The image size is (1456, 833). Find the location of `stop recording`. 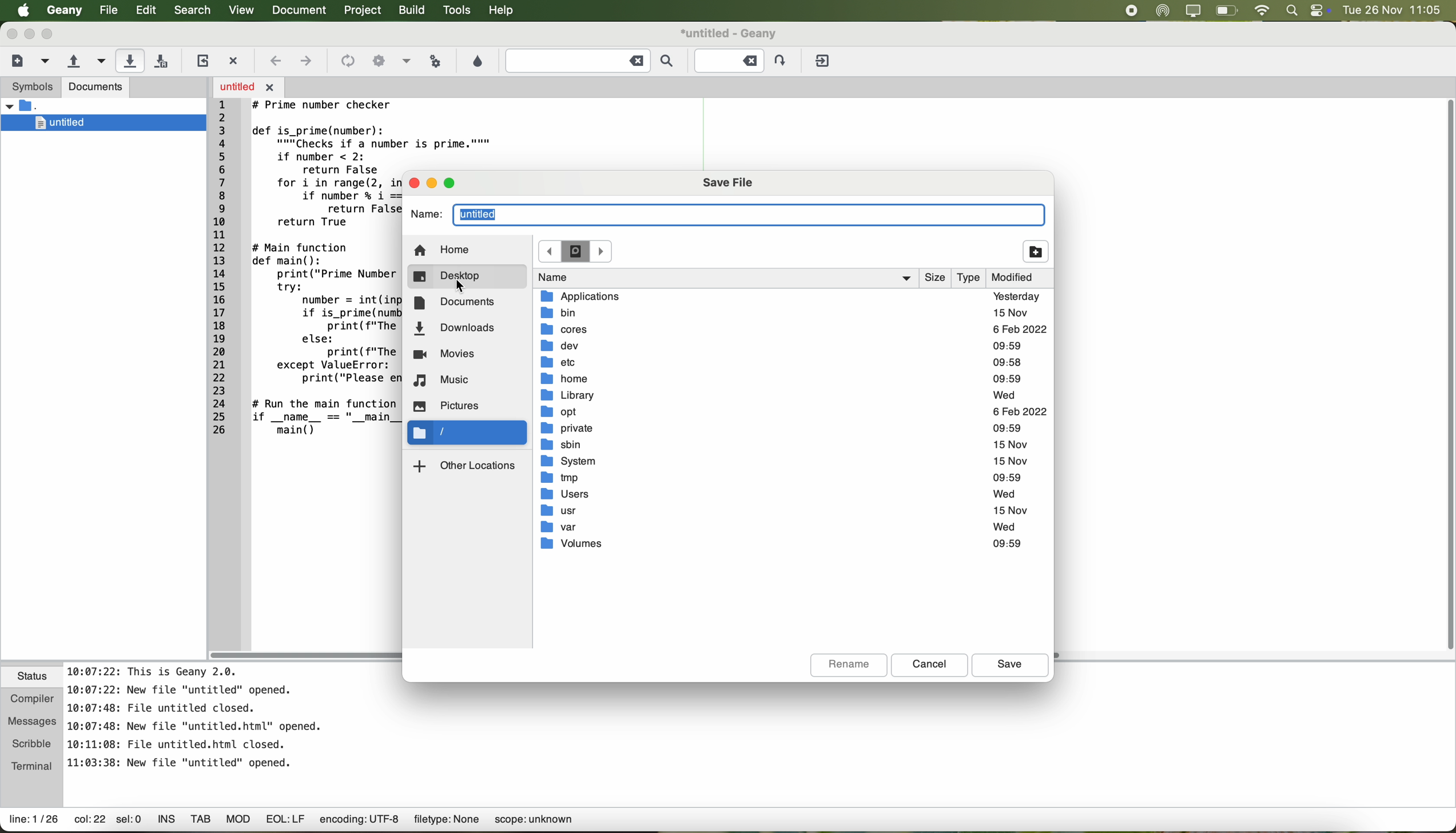

stop recording is located at coordinates (1131, 10).